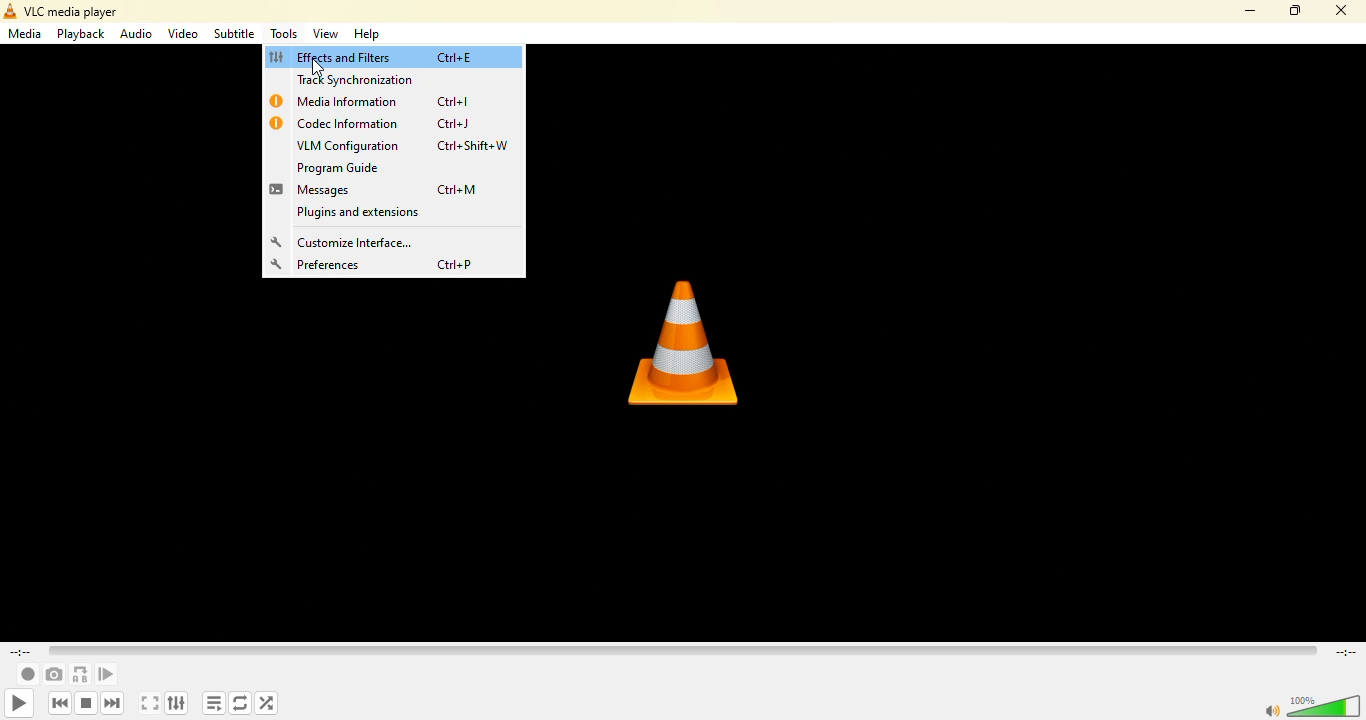 This screenshot has height=720, width=1366. What do you see at coordinates (112, 703) in the screenshot?
I see `next media in the playlist` at bounding box center [112, 703].